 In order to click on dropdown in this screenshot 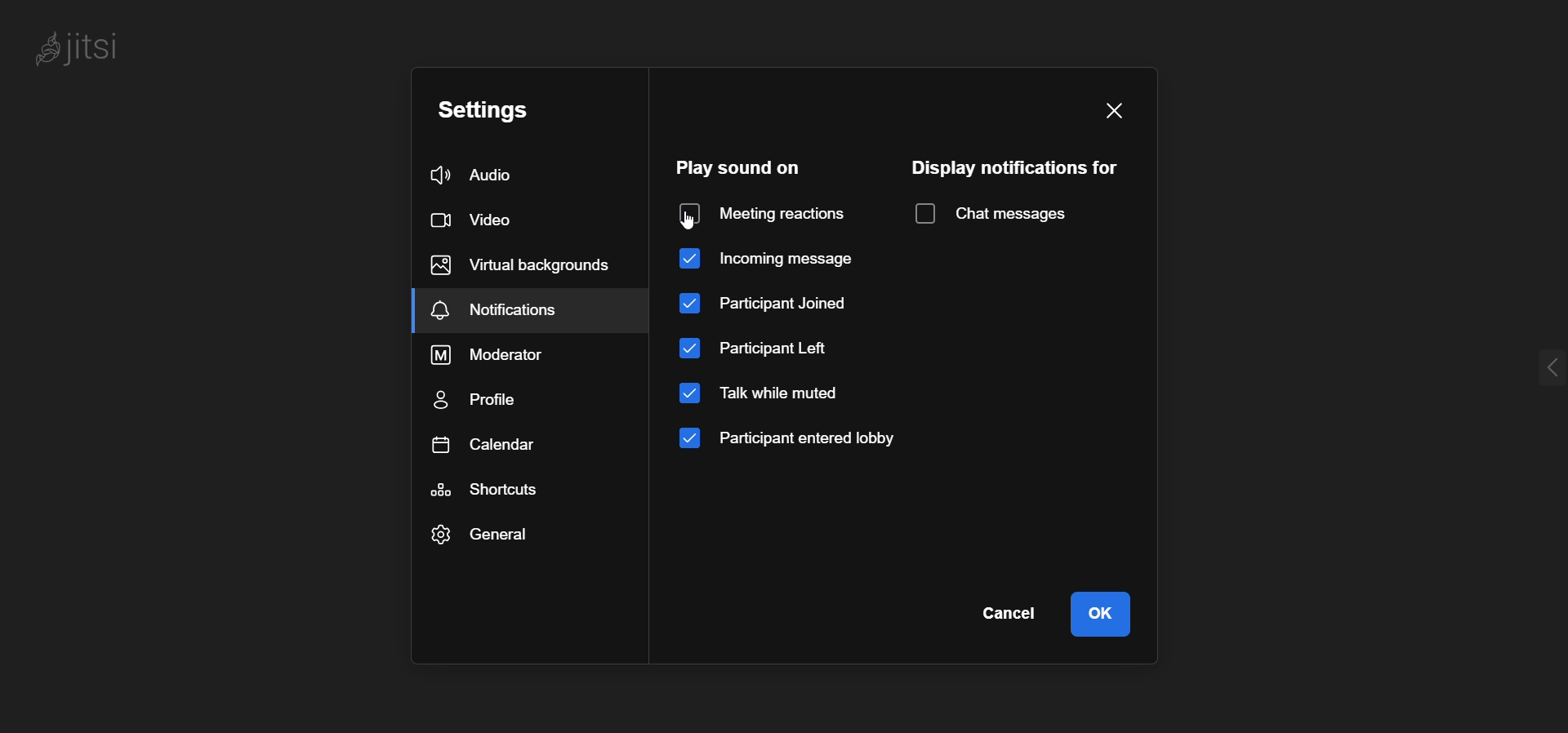, I will do `click(1107, 207)`.